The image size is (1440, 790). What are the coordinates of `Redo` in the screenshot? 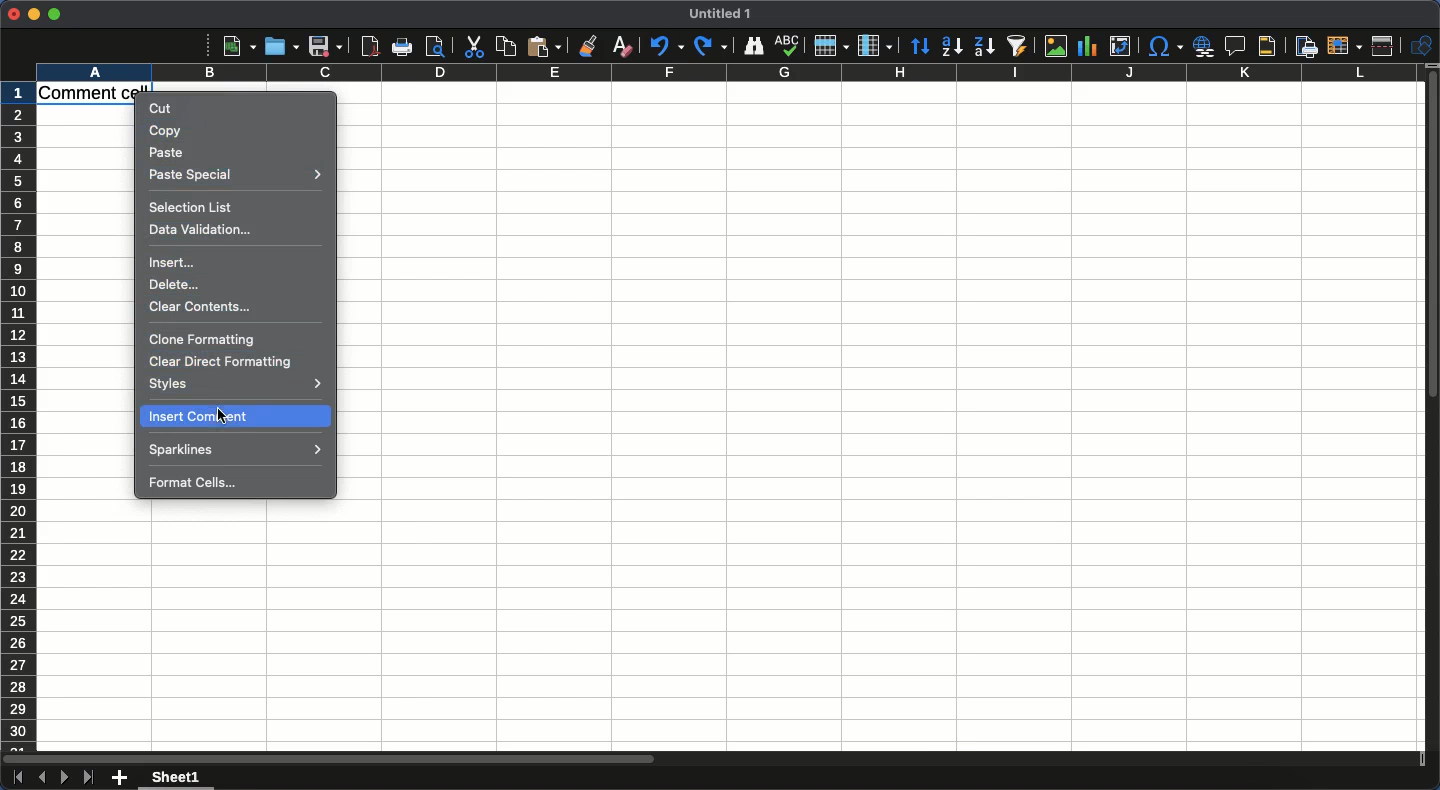 It's located at (711, 47).